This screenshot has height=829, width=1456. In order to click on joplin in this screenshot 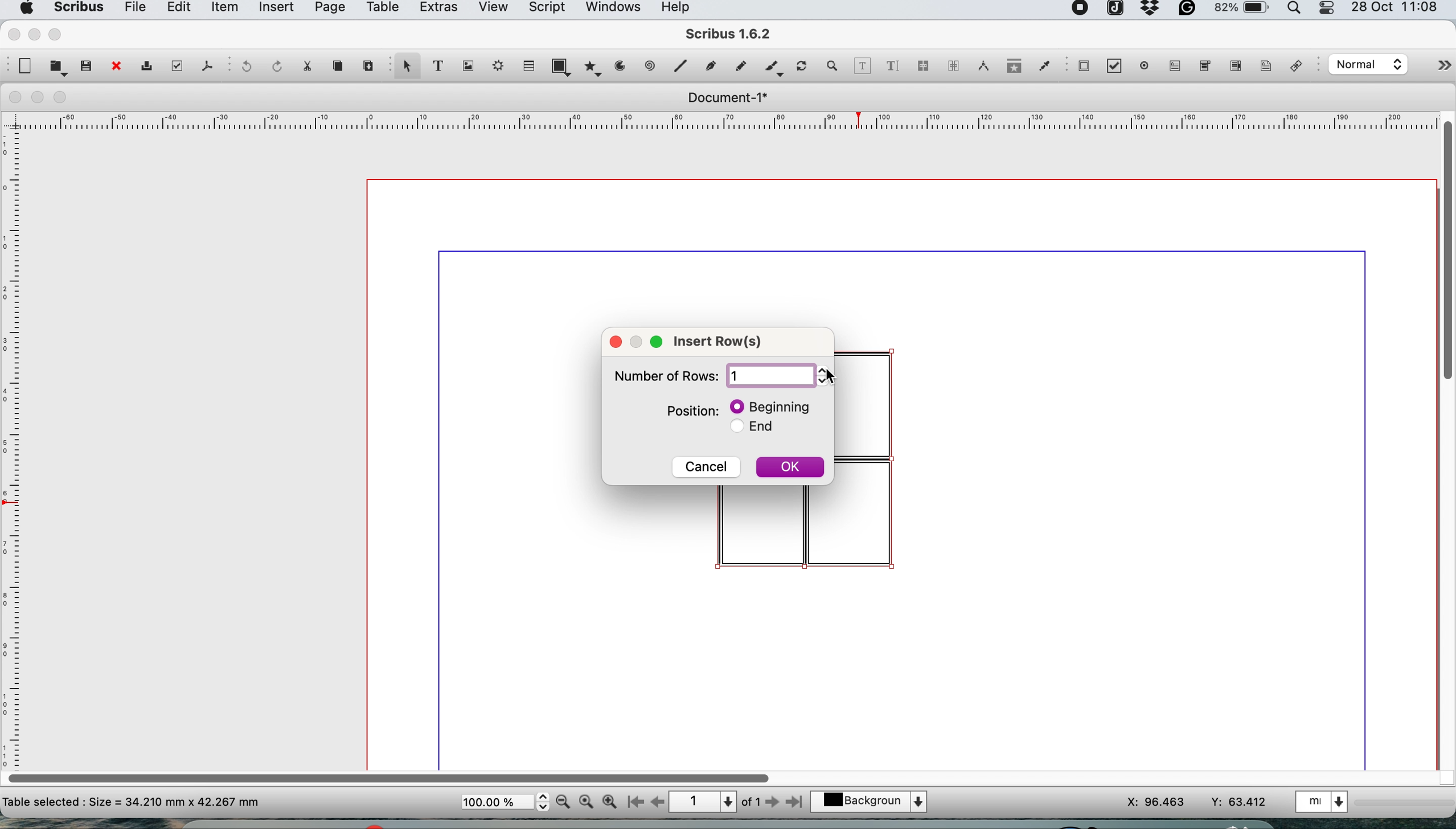, I will do `click(1114, 10)`.